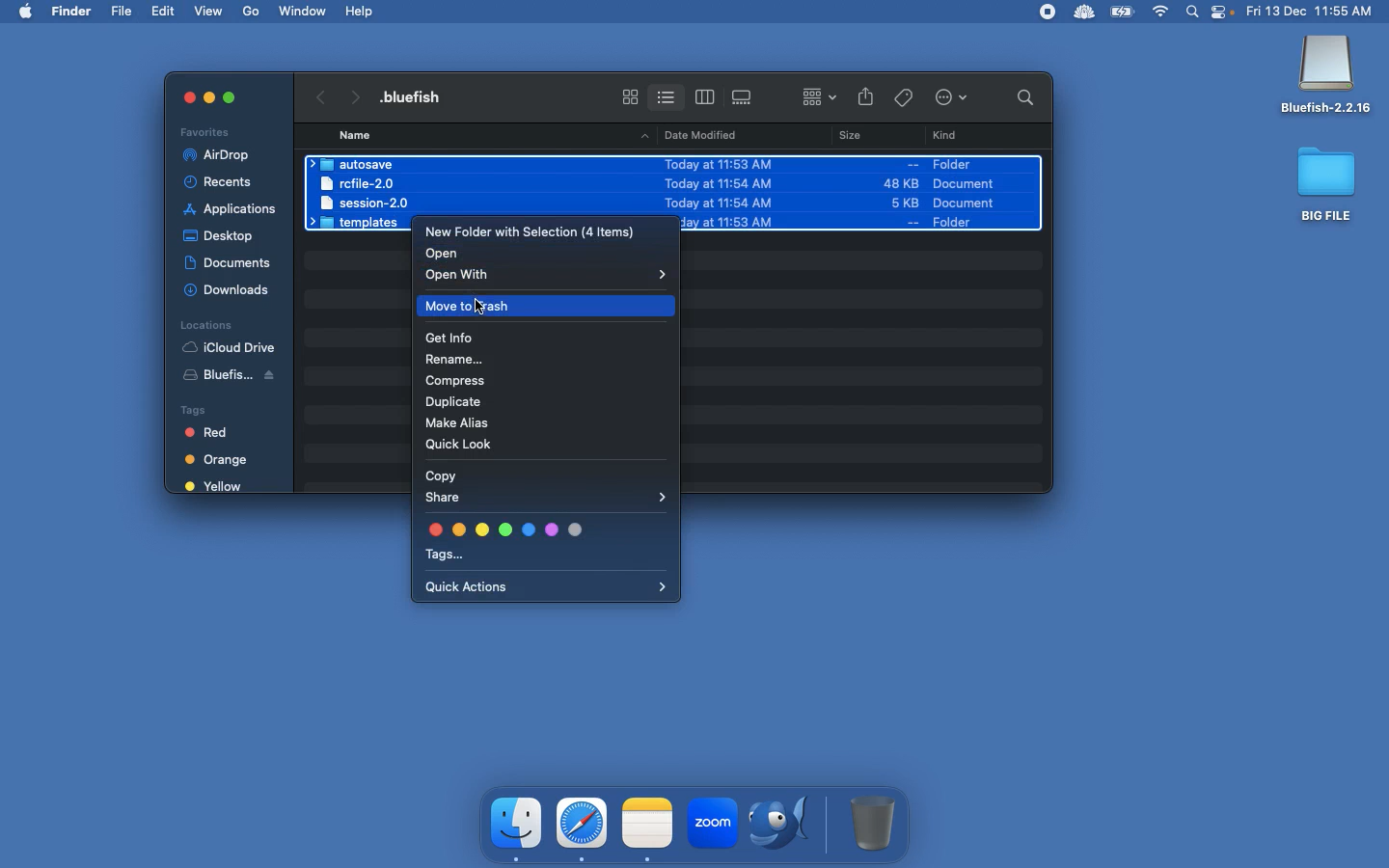 The height and width of the screenshot is (868, 1389). What do you see at coordinates (873, 194) in the screenshot?
I see `size` at bounding box center [873, 194].